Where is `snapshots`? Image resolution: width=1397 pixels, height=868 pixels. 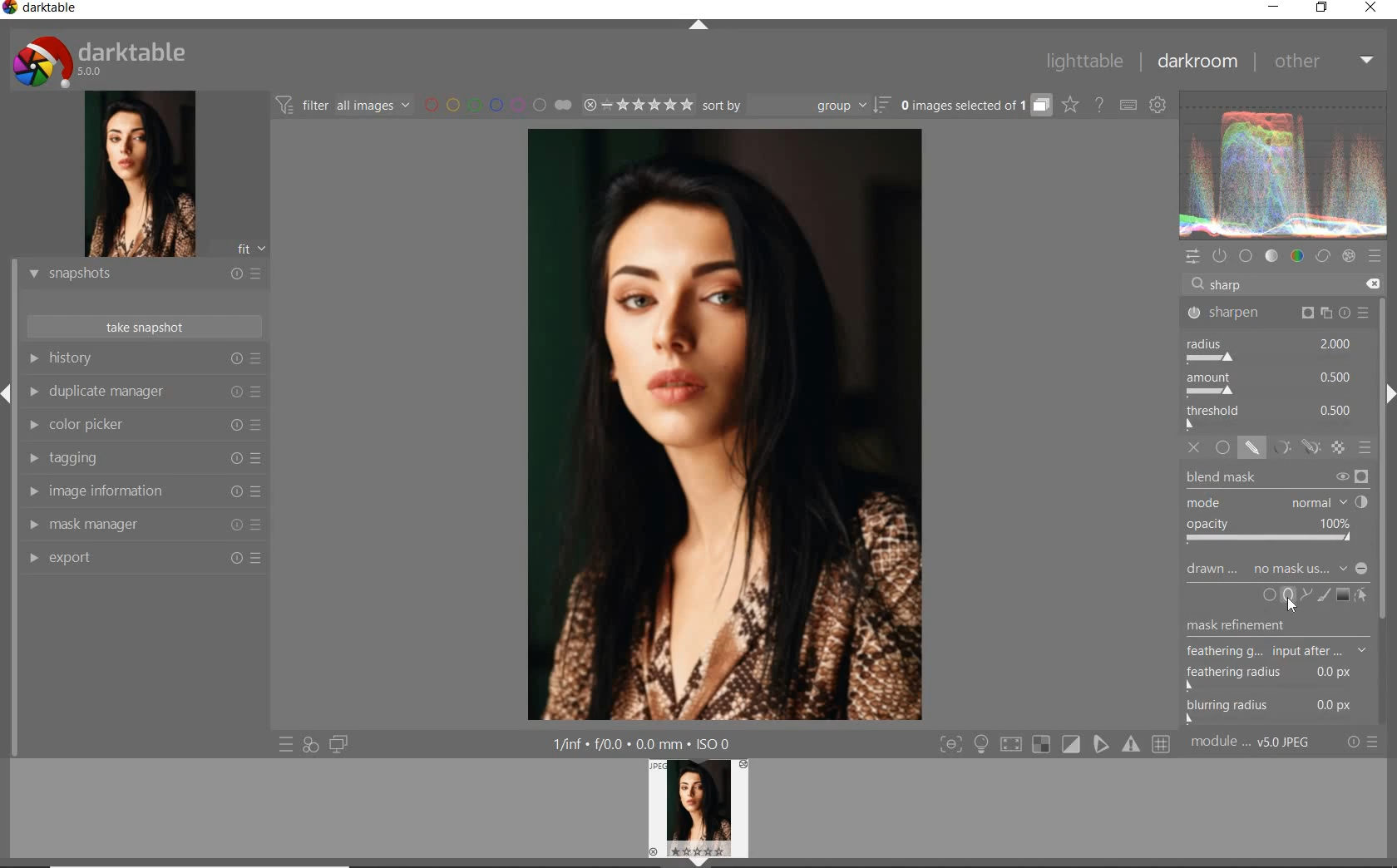
snapshots is located at coordinates (142, 274).